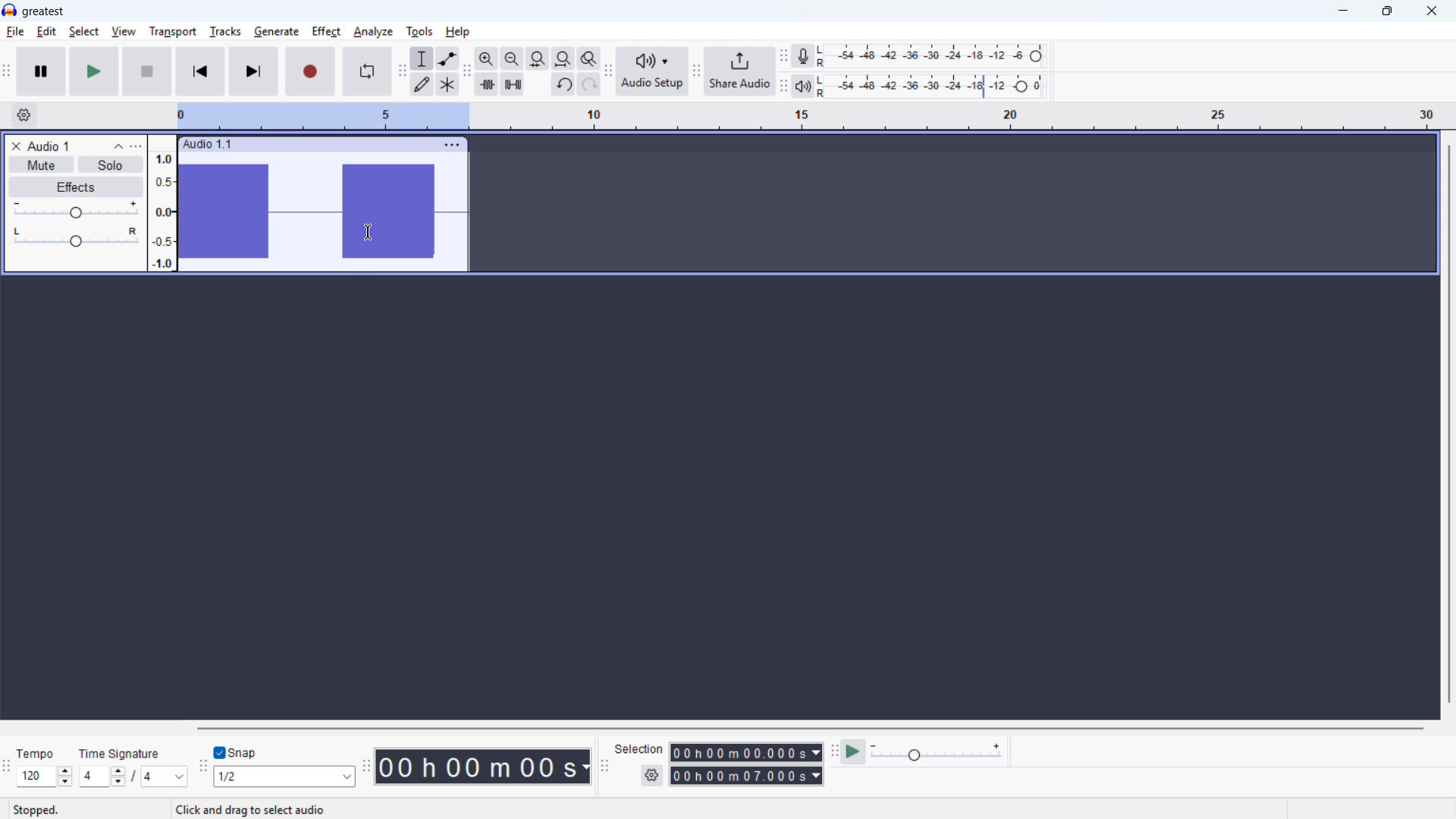  What do you see at coordinates (36, 811) in the screenshot?
I see `stopped` at bounding box center [36, 811].